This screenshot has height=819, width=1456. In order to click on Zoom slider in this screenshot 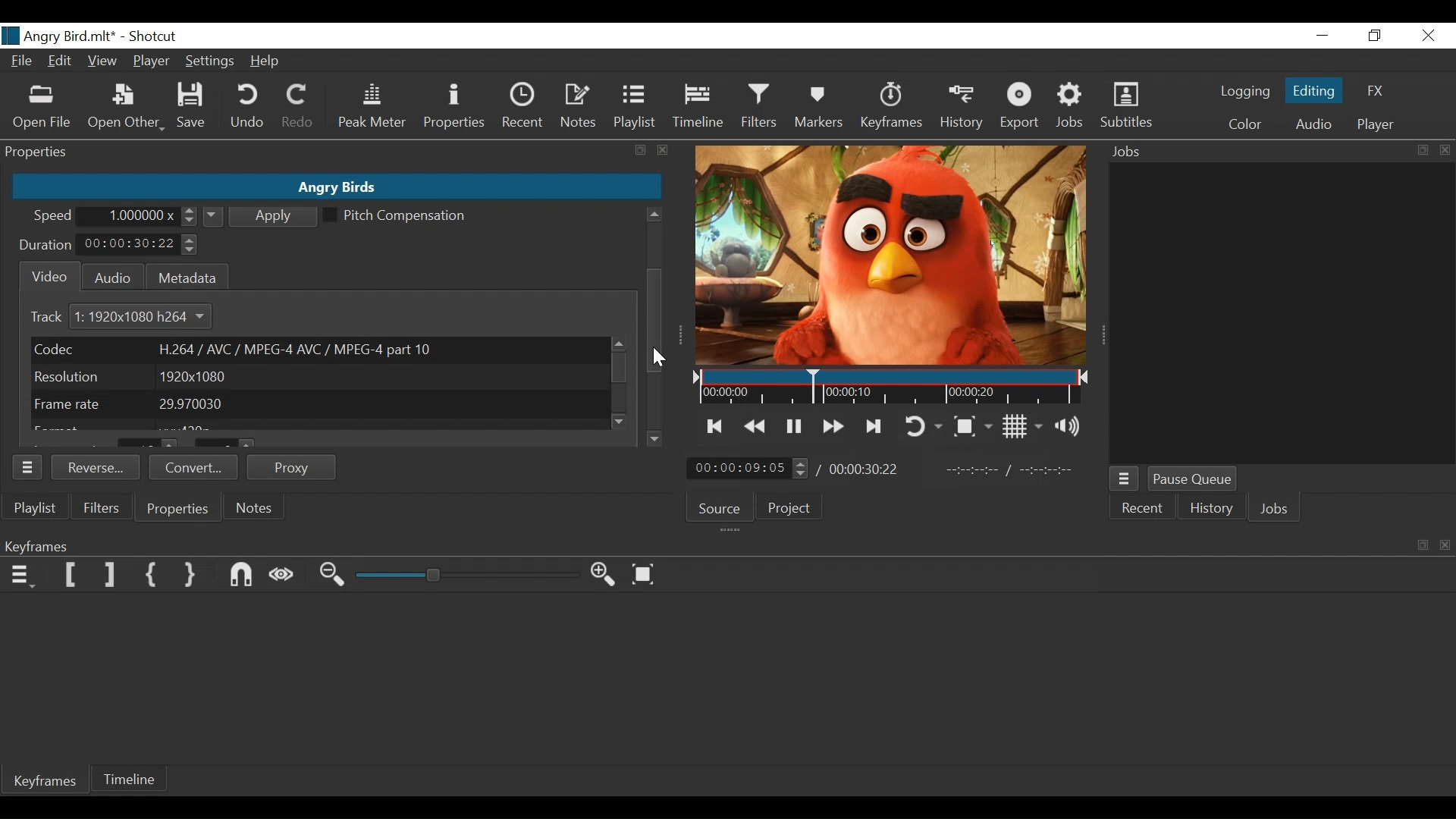, I will do `click(467, 576)`.